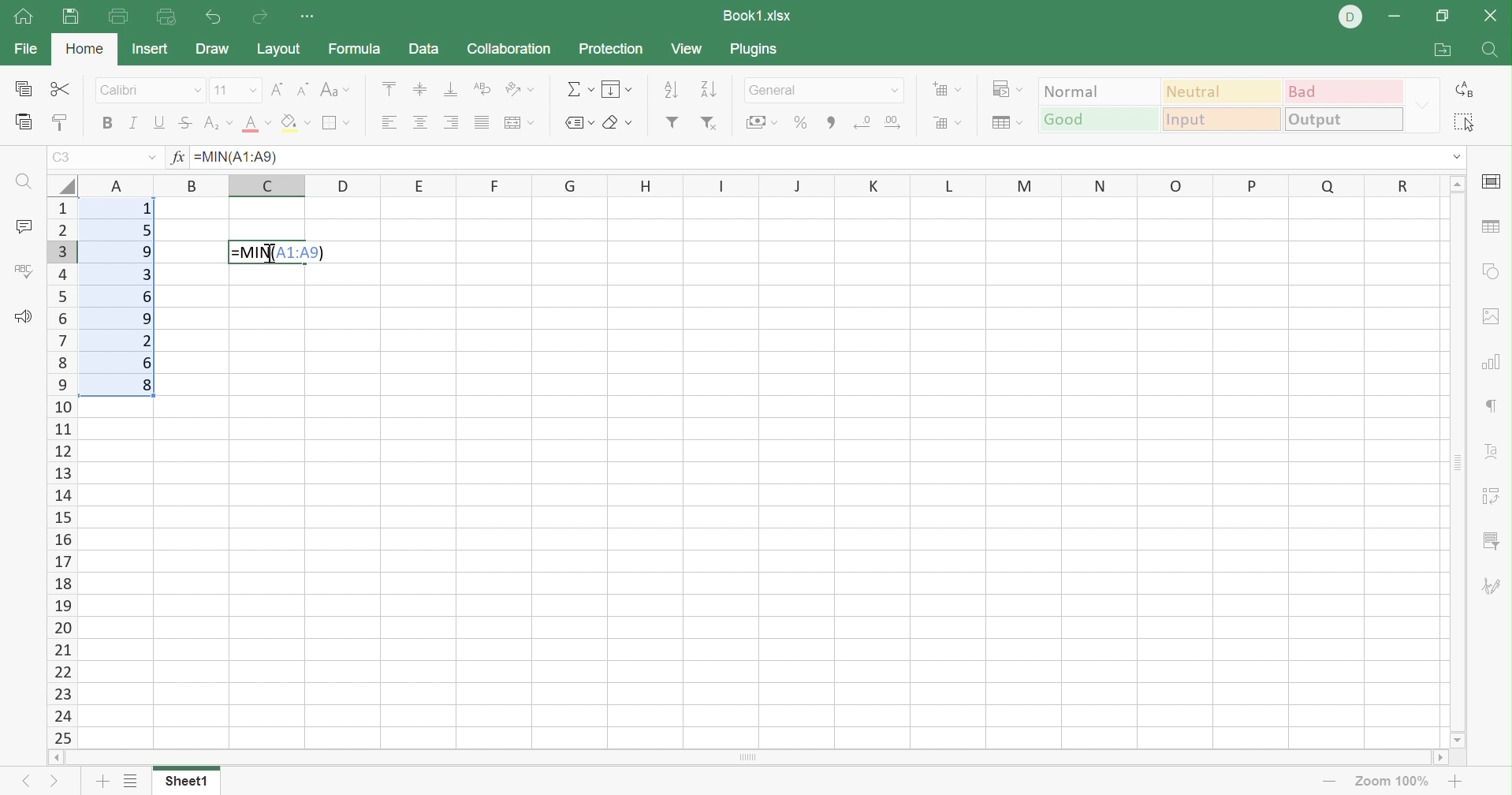 The height and width of the screenshot is (795, 1512). I want to click on Superscript / subscript, so click(218, 123).